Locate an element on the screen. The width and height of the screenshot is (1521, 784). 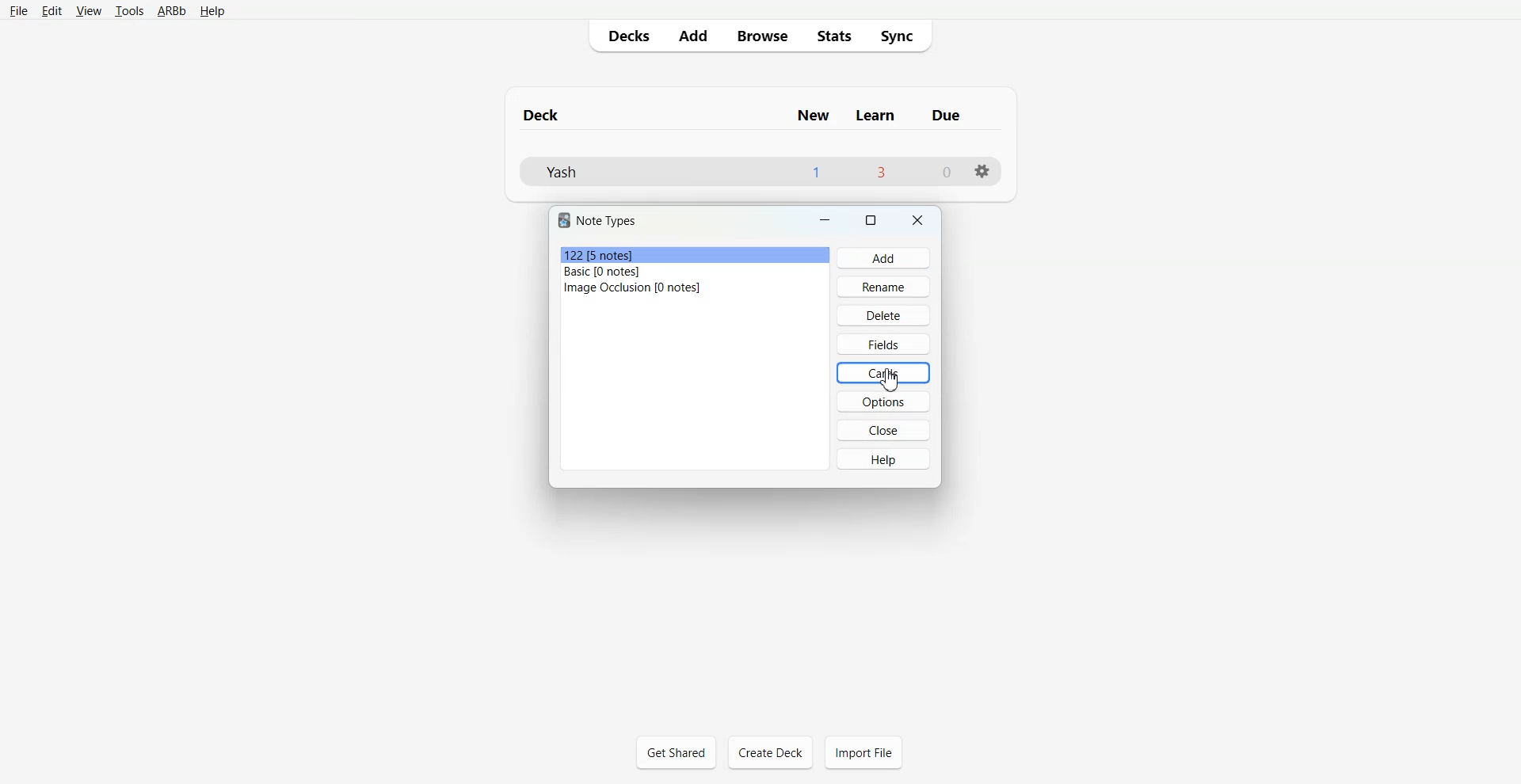
View is located at coordinates (89, 10).